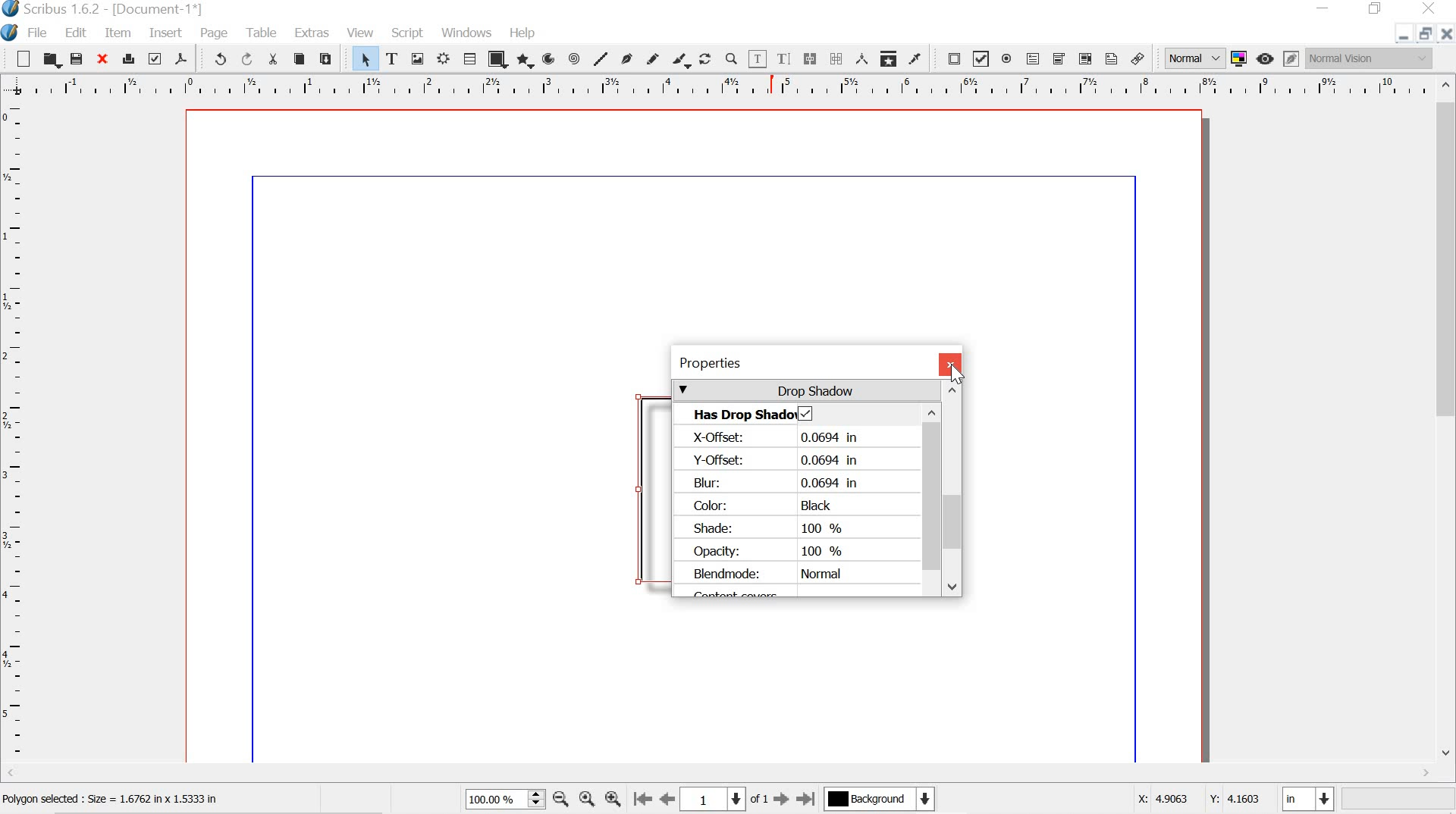 The image size is (1456, 814). What do you see at coordinates (495, 61) in the screenshot?
I see `shape` at bounding box center [495, 61].